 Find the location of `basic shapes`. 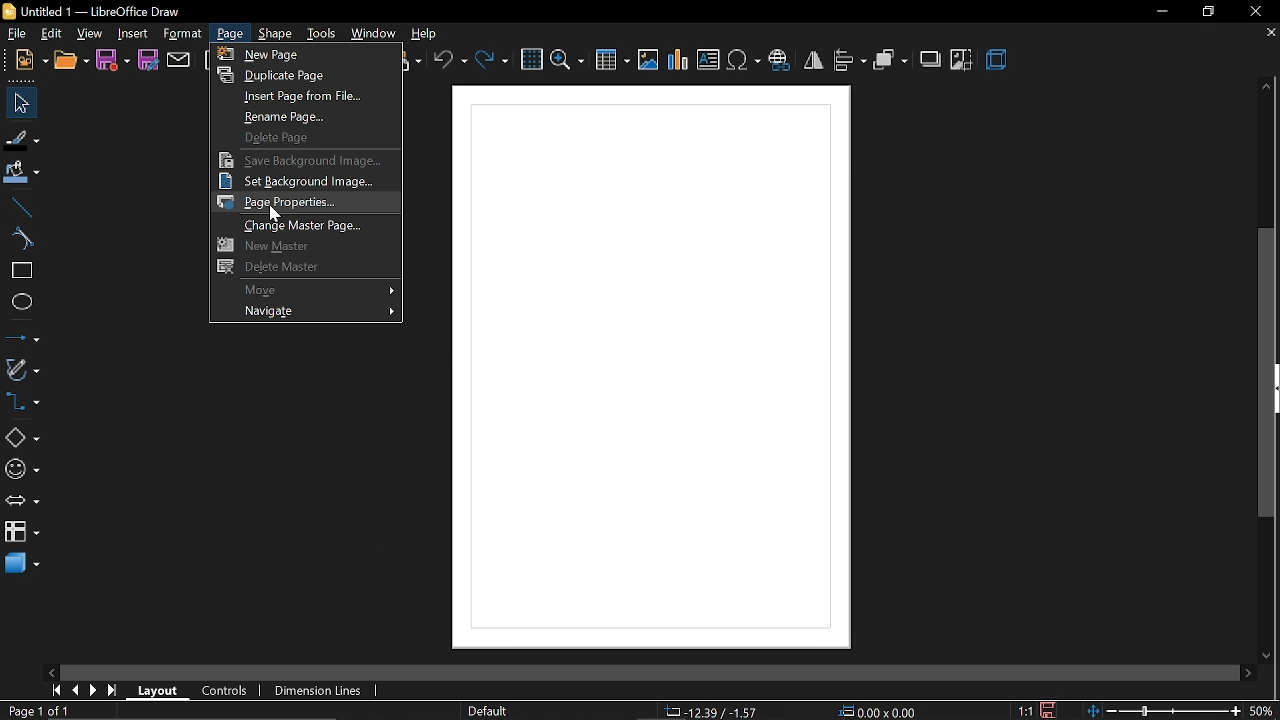

basic shapes is located at coordinates (22, 439).